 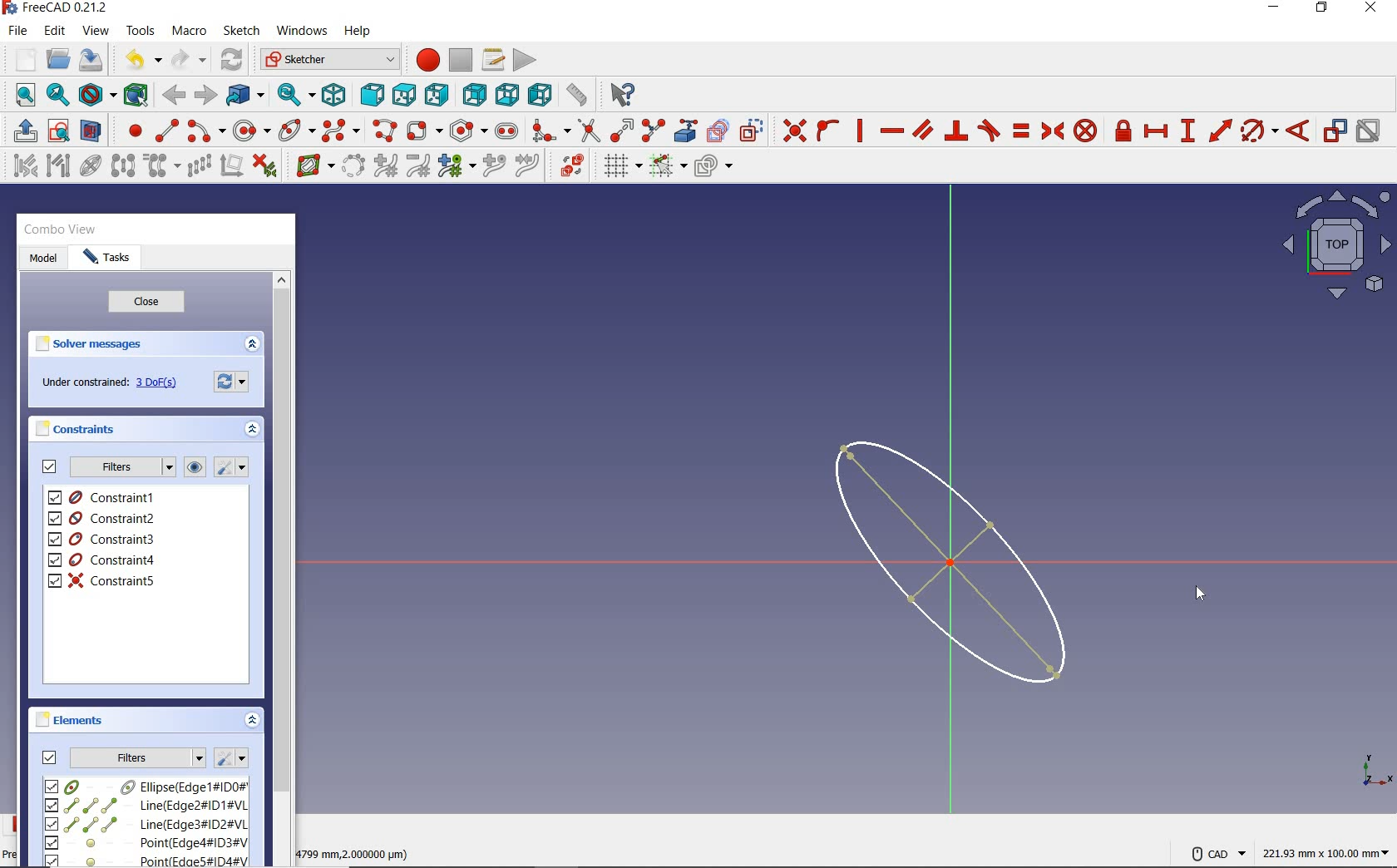 I want to click on stop macro recording, so click(x=462, y=59).